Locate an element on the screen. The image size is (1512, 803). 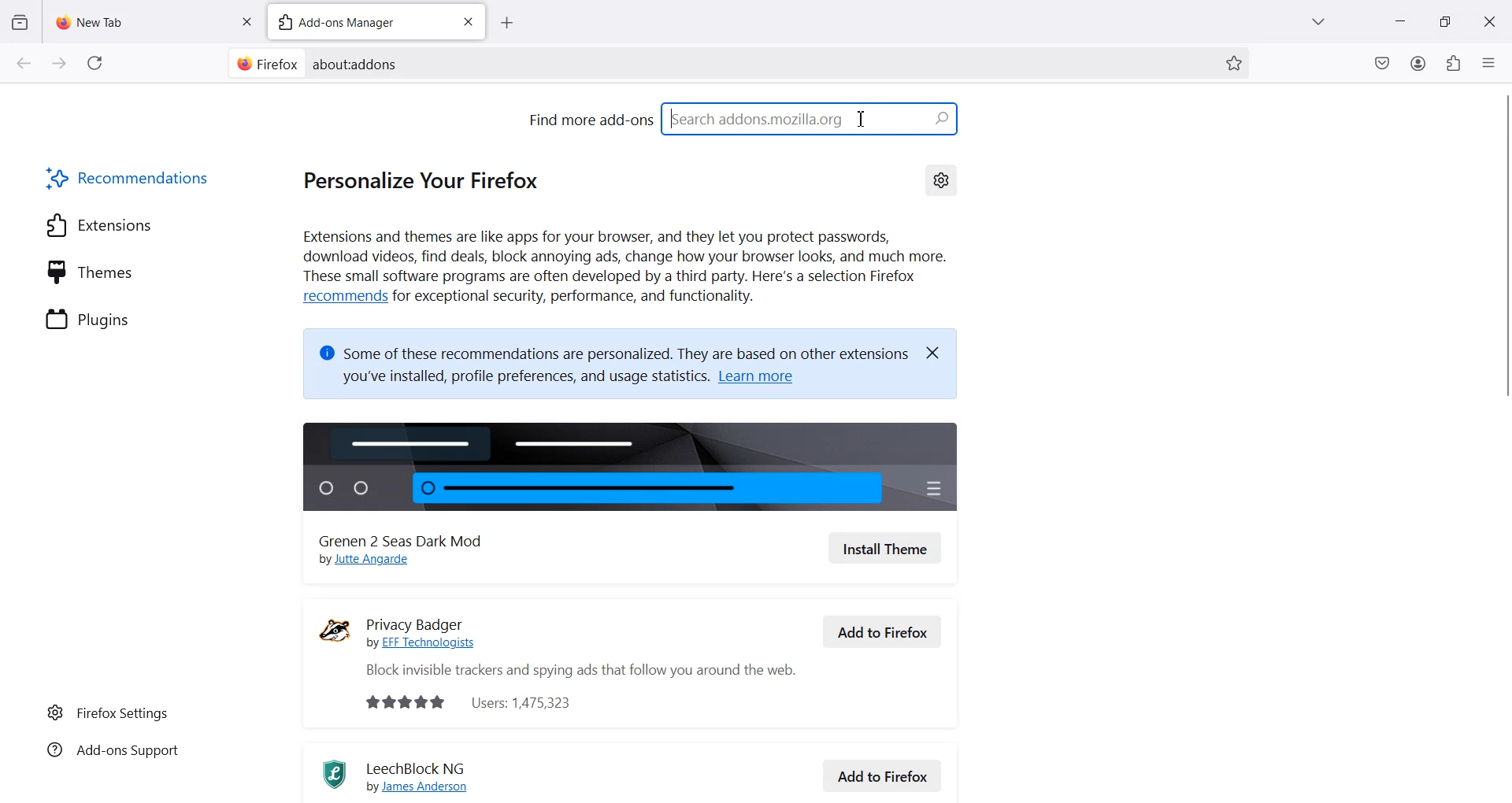
@ Some of these recommendations are personalized. They are based on other extensions is located at coordinates (610, 348).